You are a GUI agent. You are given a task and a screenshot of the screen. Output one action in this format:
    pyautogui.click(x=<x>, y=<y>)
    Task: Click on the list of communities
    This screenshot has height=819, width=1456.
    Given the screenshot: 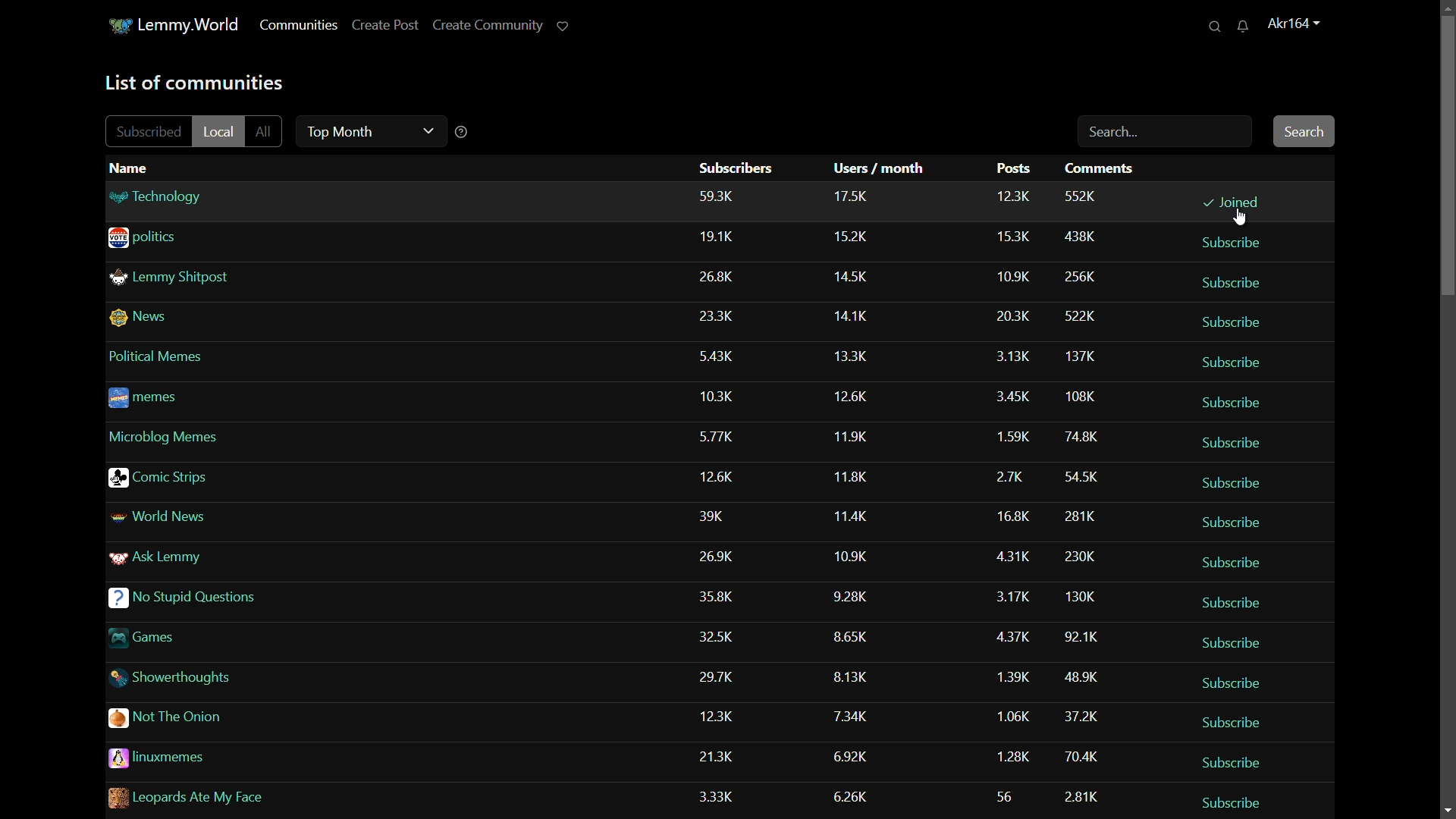 What is the action you would take?
    pyautogui.click(x=193, y=82)
    